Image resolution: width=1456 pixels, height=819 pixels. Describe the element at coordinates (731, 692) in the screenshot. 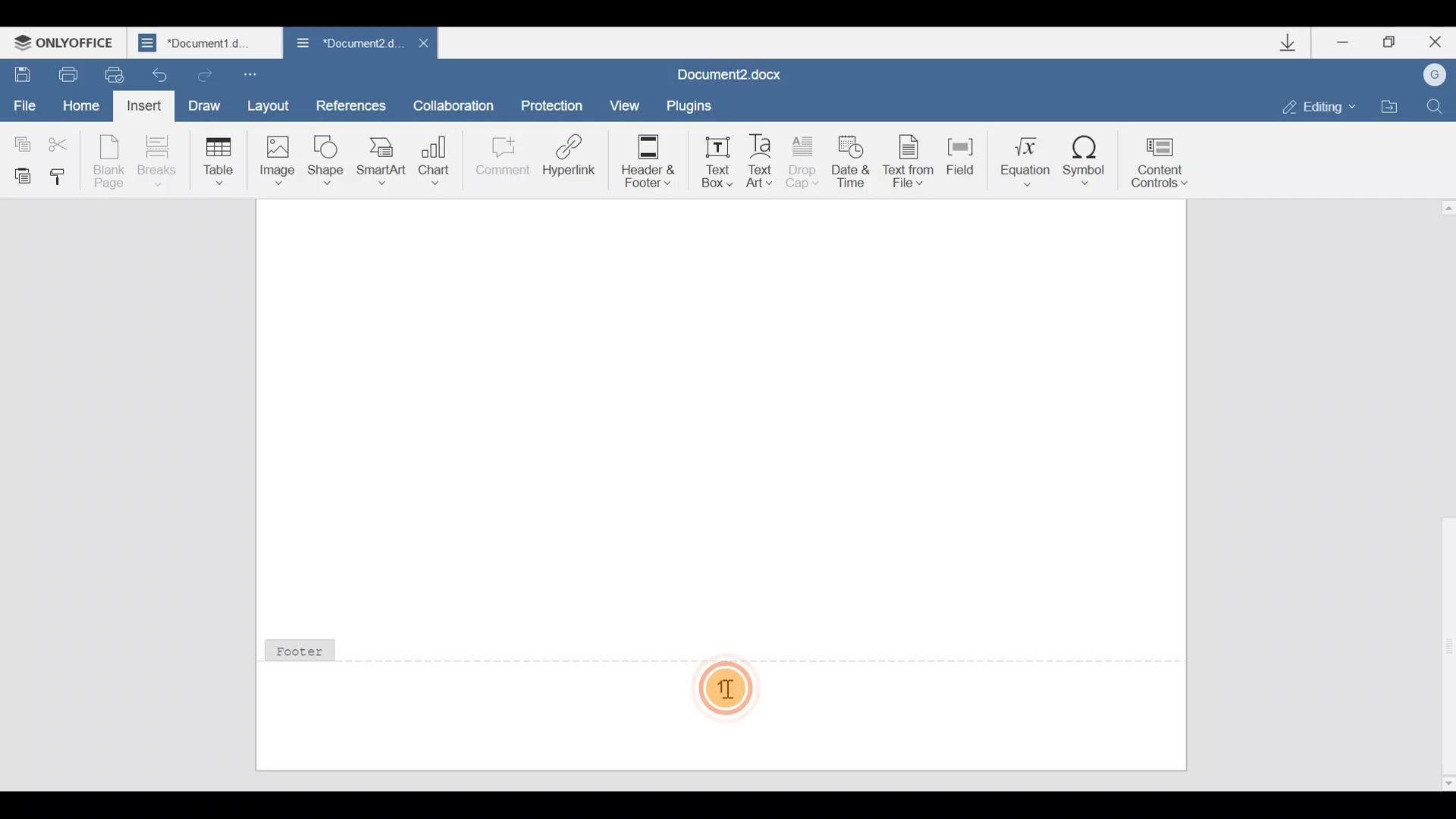

I see `Cursor` at that location.